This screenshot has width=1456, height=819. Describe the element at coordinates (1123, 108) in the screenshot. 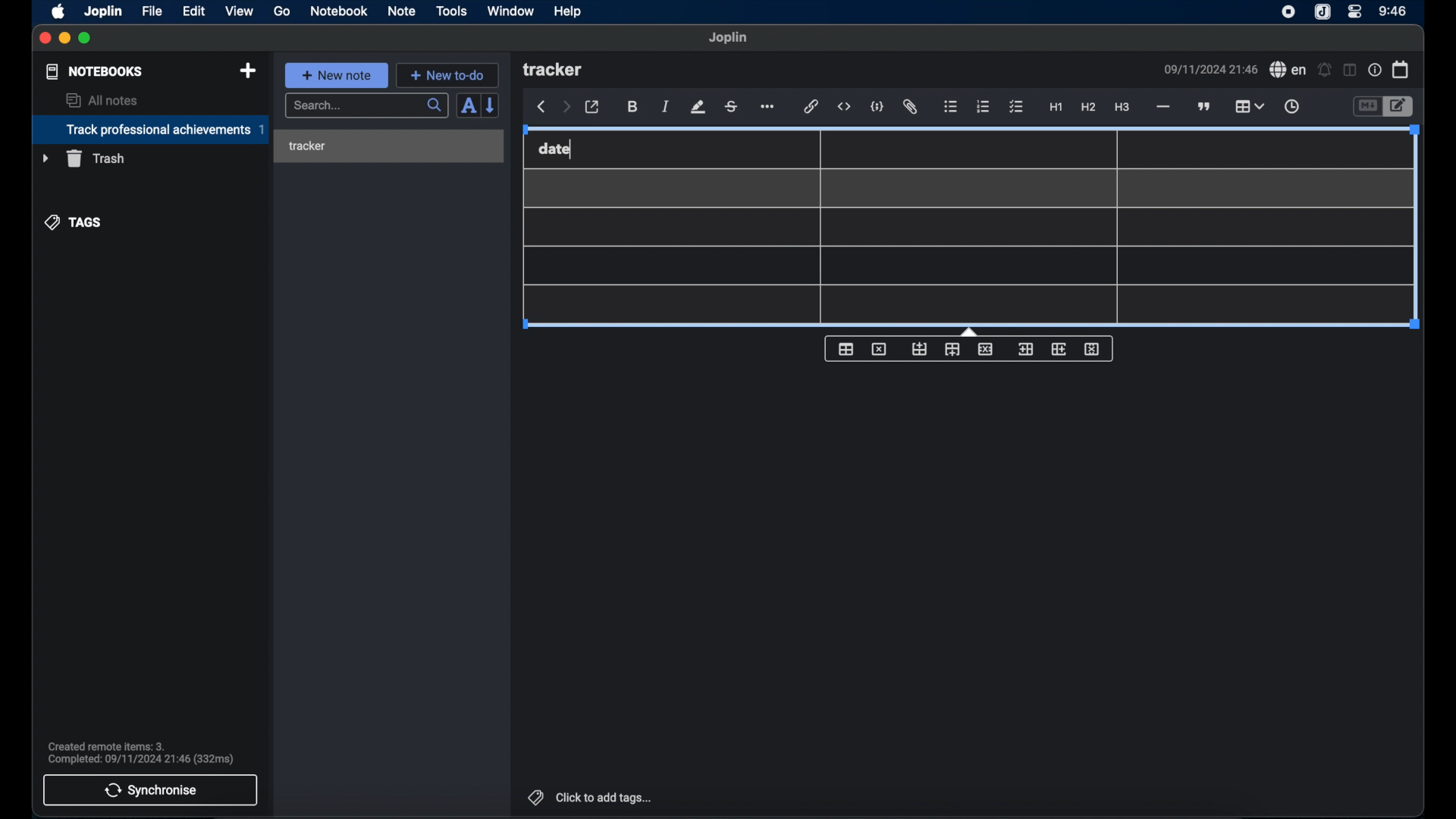

I see `heading 3` at that location.